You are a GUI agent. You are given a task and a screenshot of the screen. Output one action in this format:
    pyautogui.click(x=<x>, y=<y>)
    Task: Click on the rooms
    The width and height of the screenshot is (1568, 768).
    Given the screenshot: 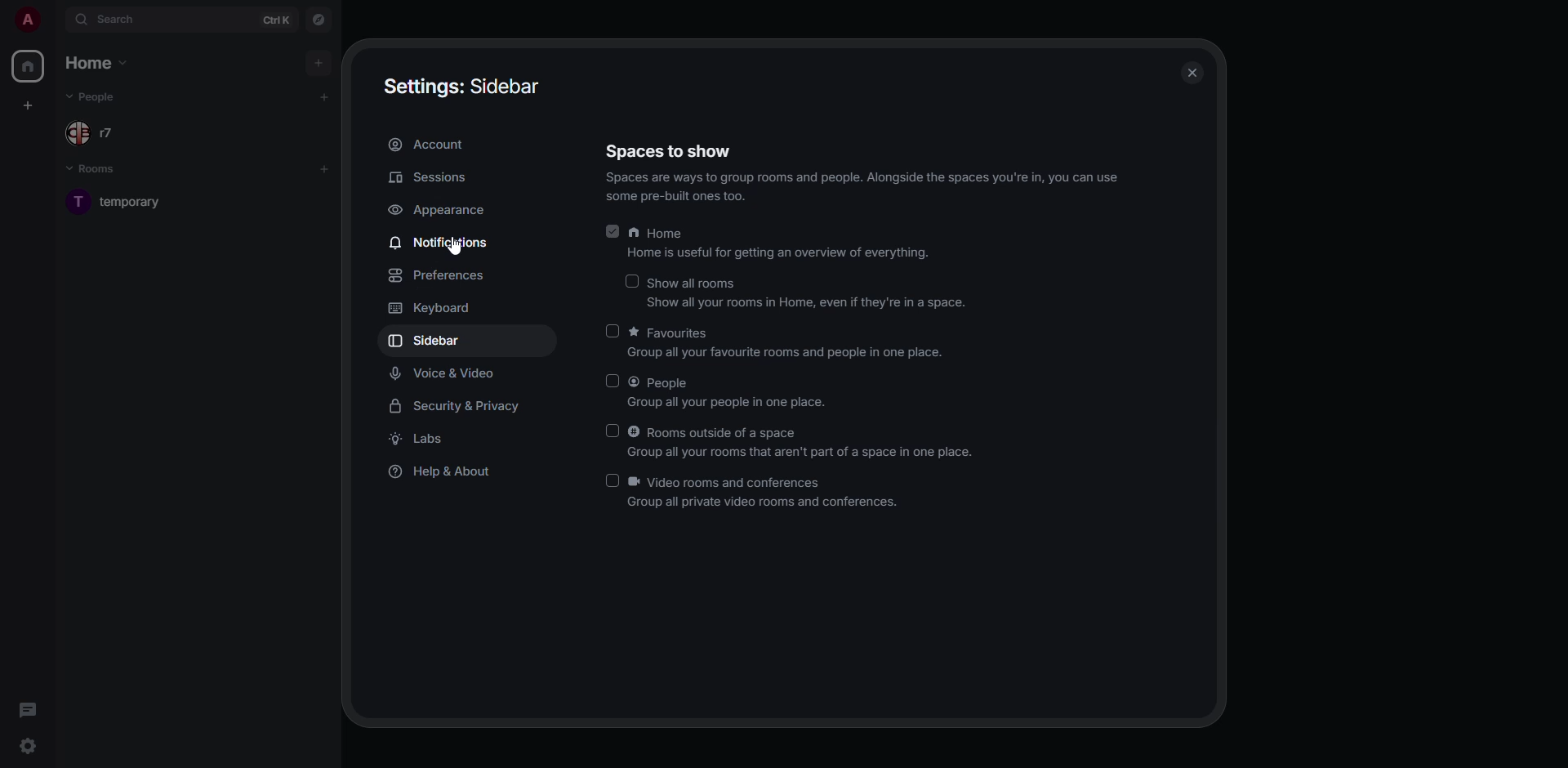 What is the action you would take?
    pyautogui.click(x=101, y=171)
    